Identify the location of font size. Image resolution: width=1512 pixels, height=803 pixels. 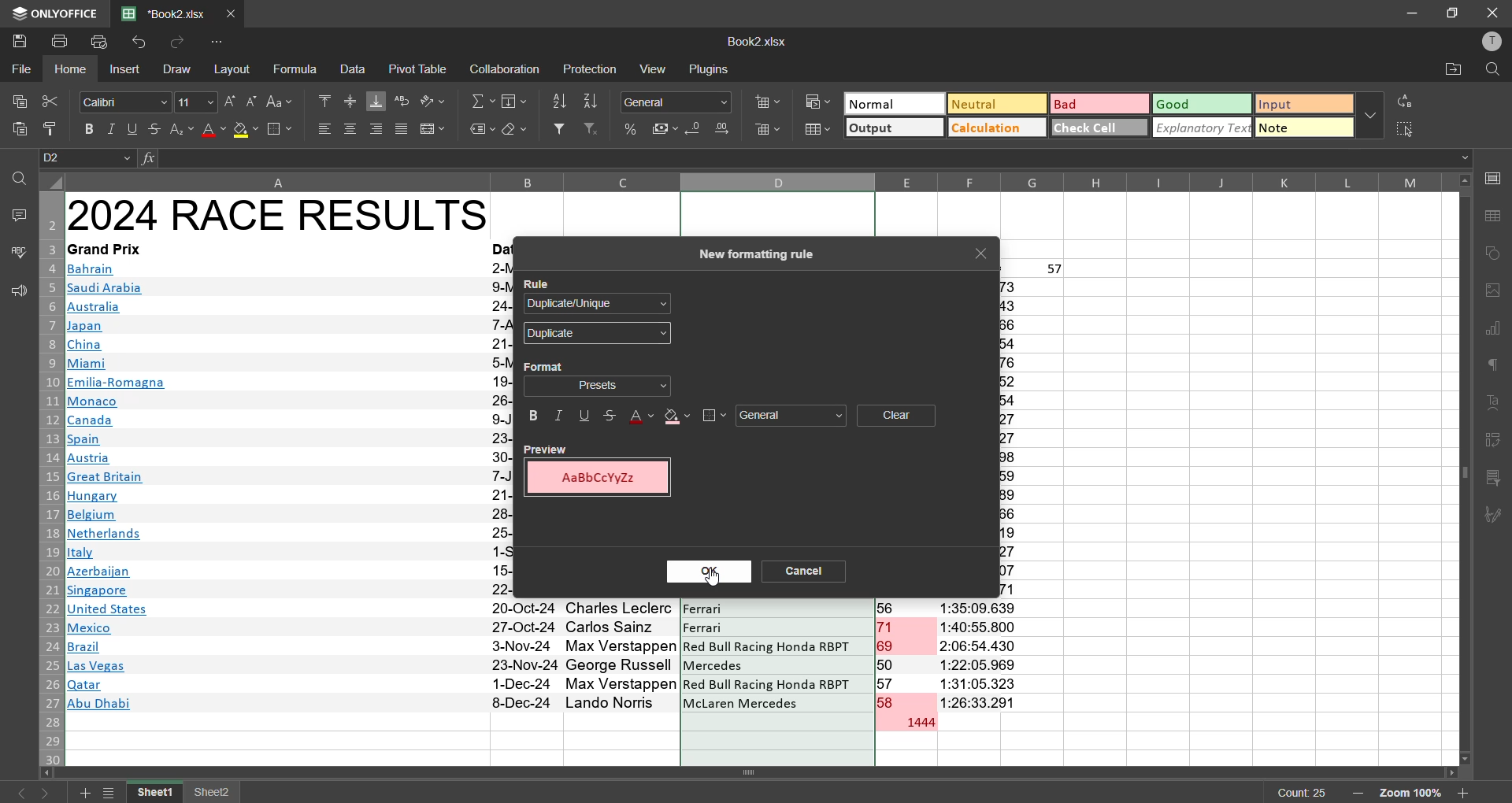
(194, 101).